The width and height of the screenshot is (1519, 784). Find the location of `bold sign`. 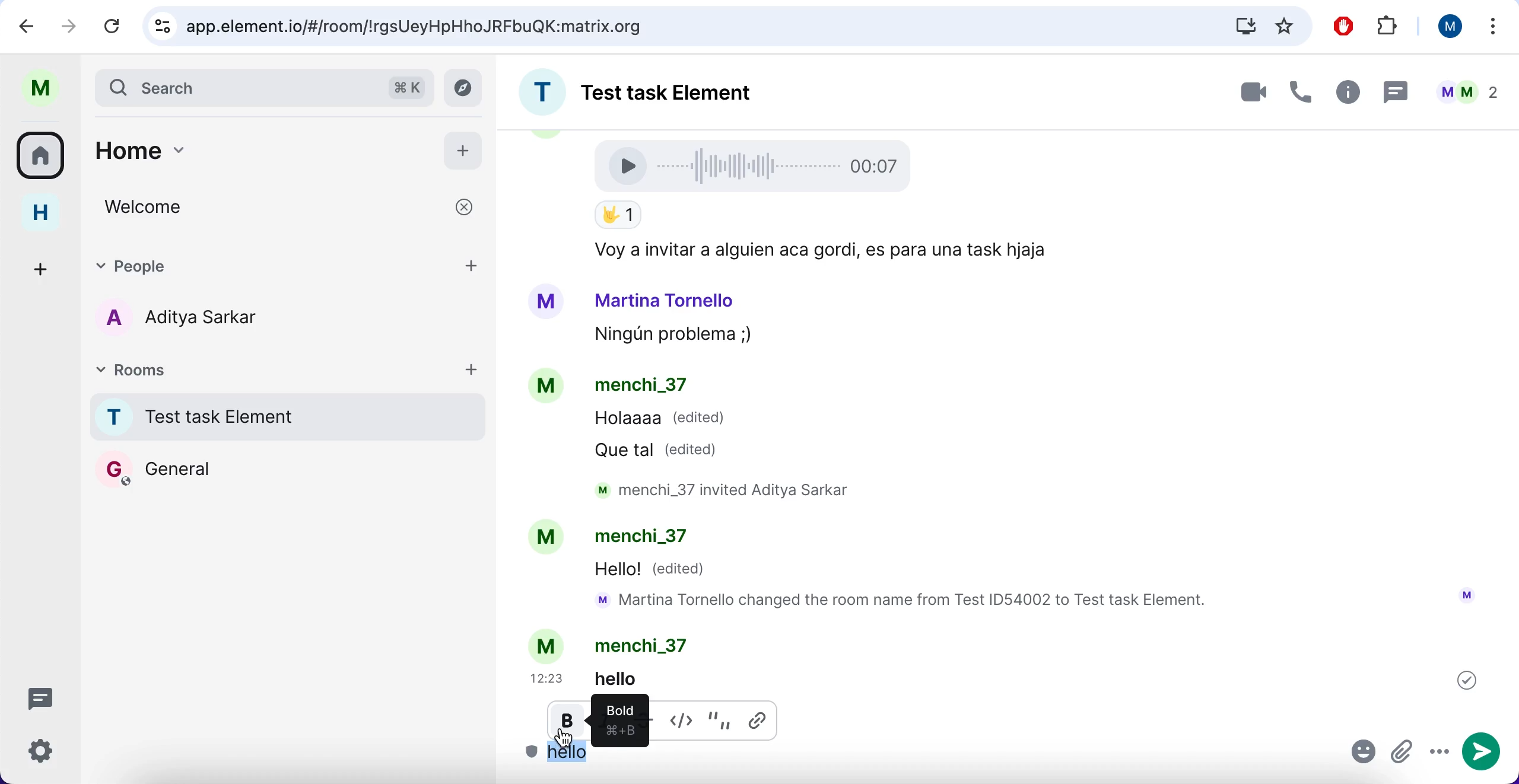

bold sign is located at coordinates (617, 716).